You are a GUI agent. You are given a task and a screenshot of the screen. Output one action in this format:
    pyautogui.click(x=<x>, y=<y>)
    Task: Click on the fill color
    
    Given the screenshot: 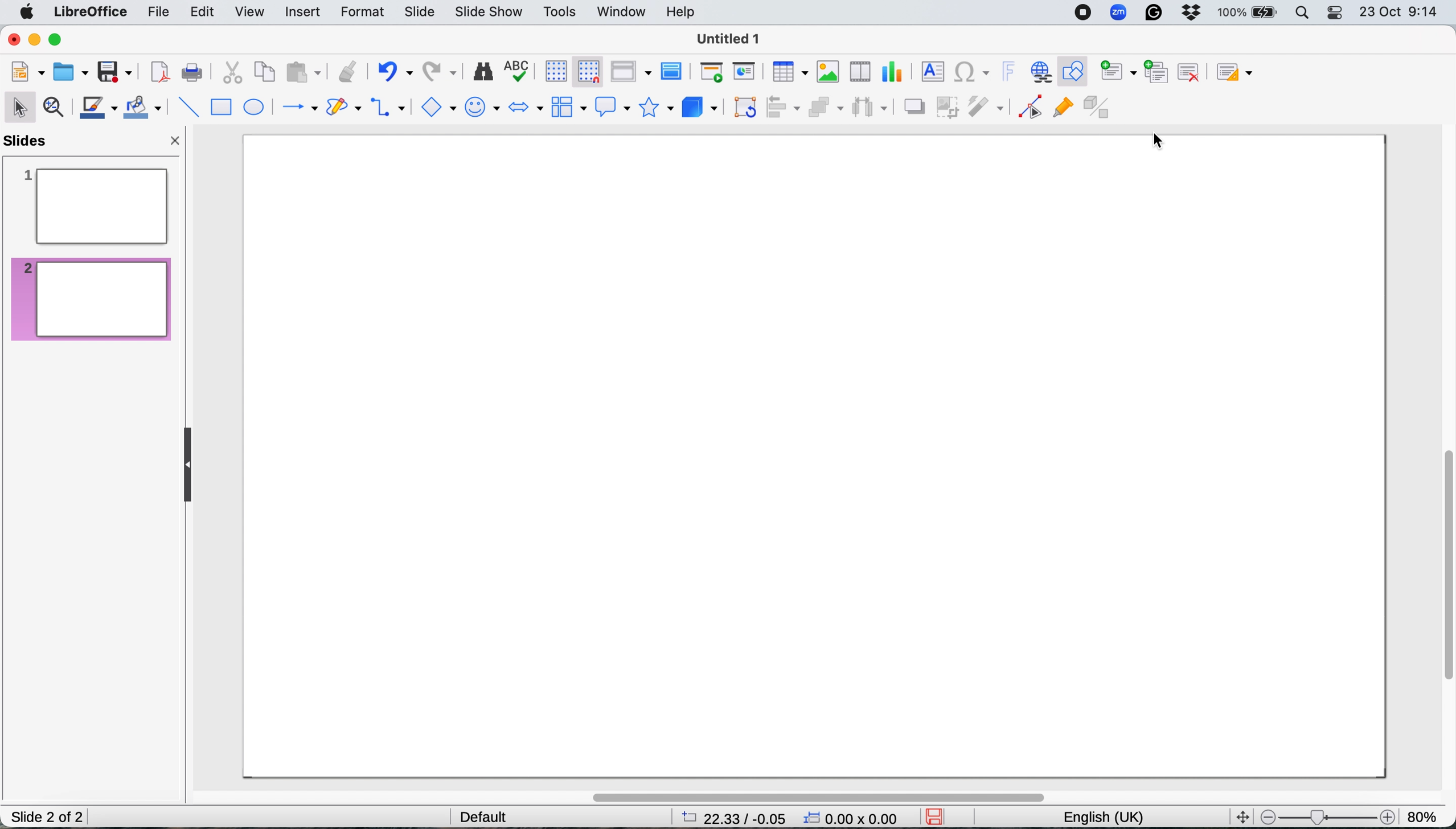 What is the action you would take?
    pyautogui.click(x=142, y=109)
    